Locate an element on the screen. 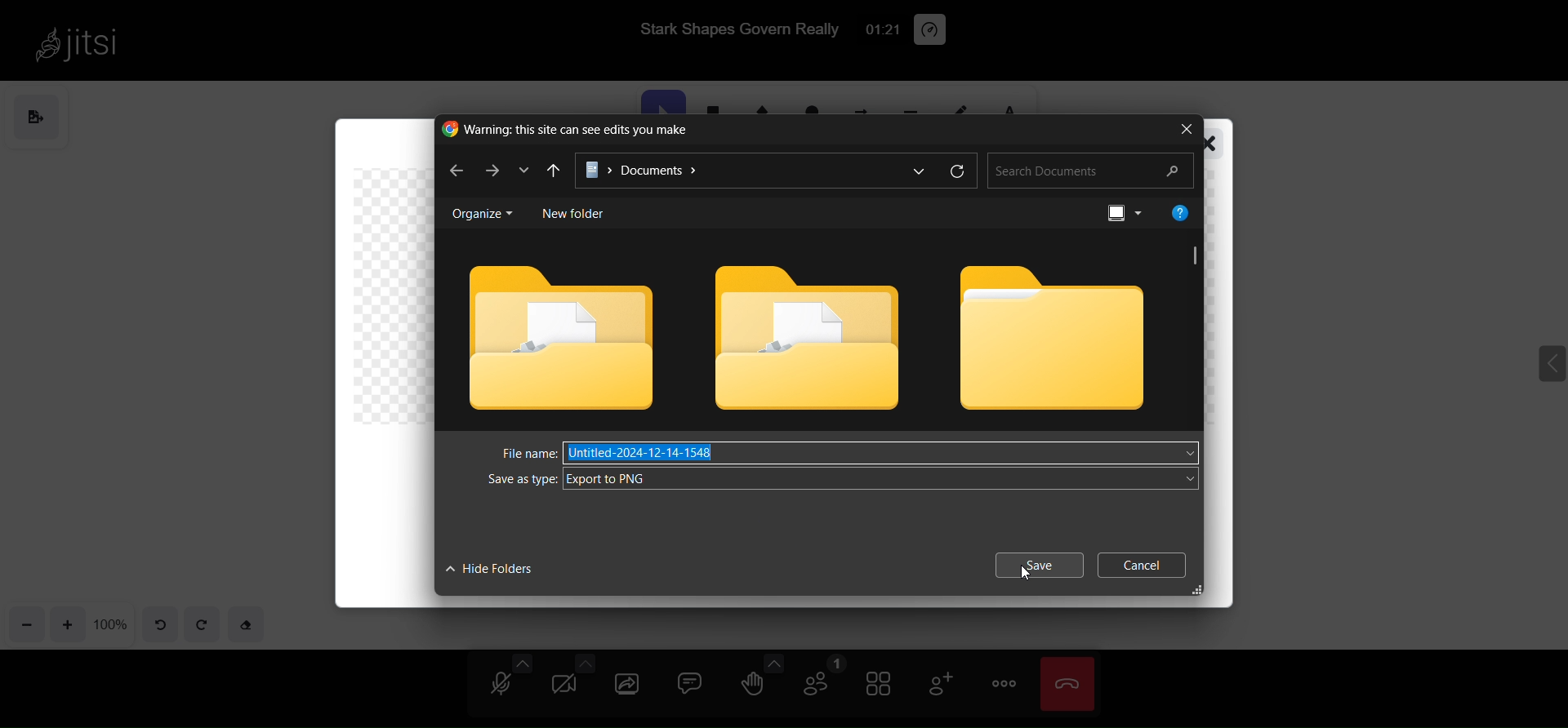 This screenshot has height=728, width=1568. cursor is located at coordinates (1027, 575).